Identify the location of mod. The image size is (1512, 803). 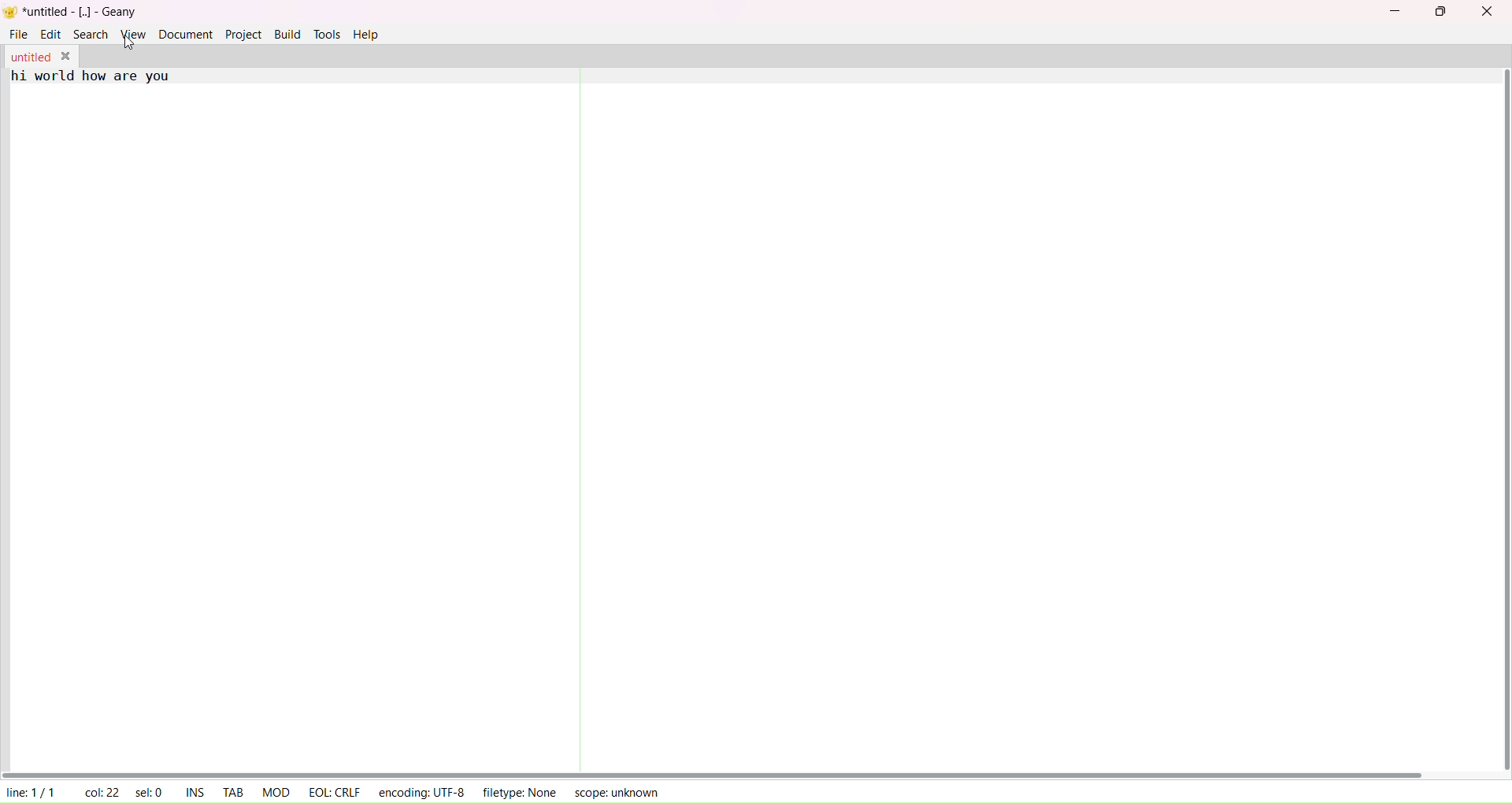
(273, 790).